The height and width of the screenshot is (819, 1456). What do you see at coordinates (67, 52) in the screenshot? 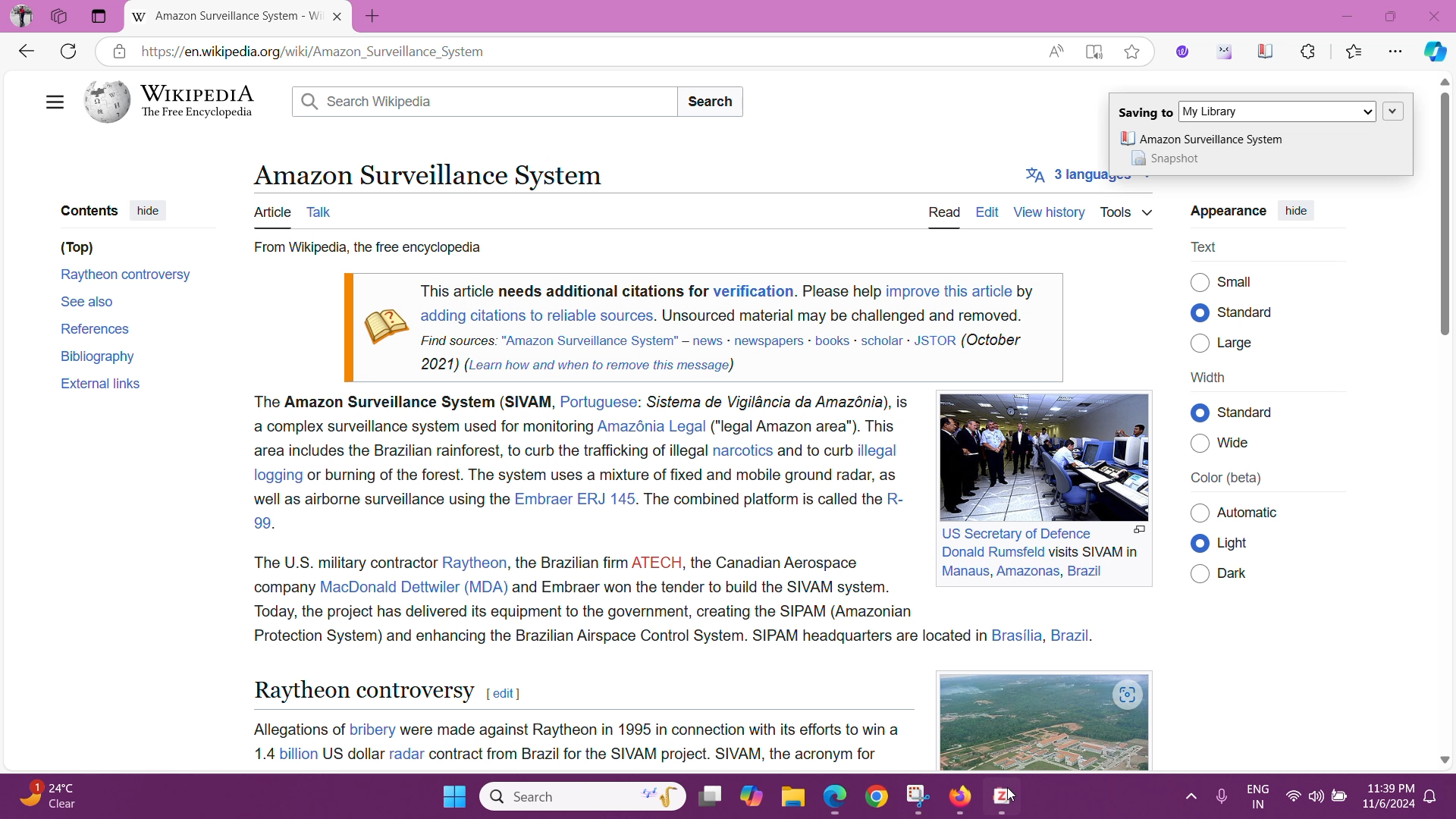
I see `Refresh` at bounding box center [67, 52].